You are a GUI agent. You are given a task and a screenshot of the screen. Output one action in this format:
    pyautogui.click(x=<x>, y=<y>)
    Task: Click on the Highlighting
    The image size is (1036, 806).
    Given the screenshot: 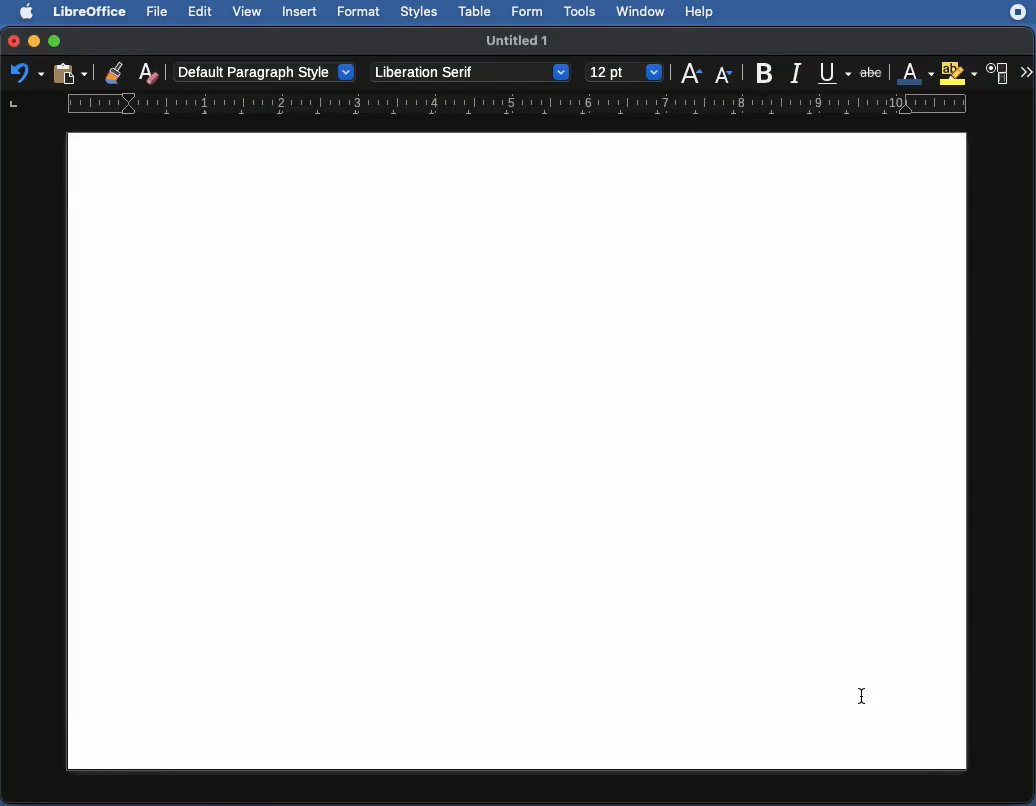 What is the action you would take?
    pyautogui.click(x=957, y=73)
    